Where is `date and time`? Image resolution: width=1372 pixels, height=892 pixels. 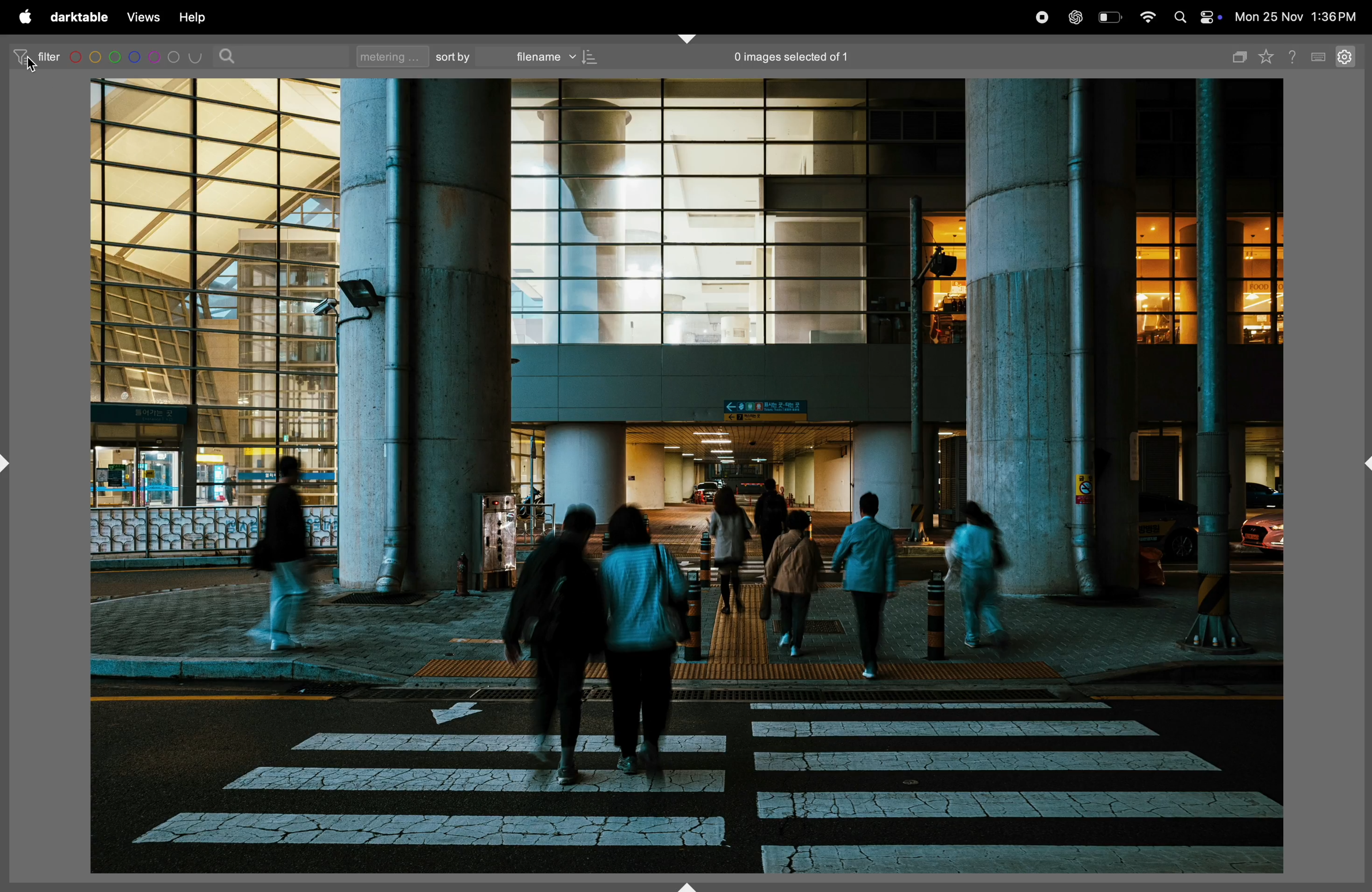 date and time is located at coordinates (1301, 16).